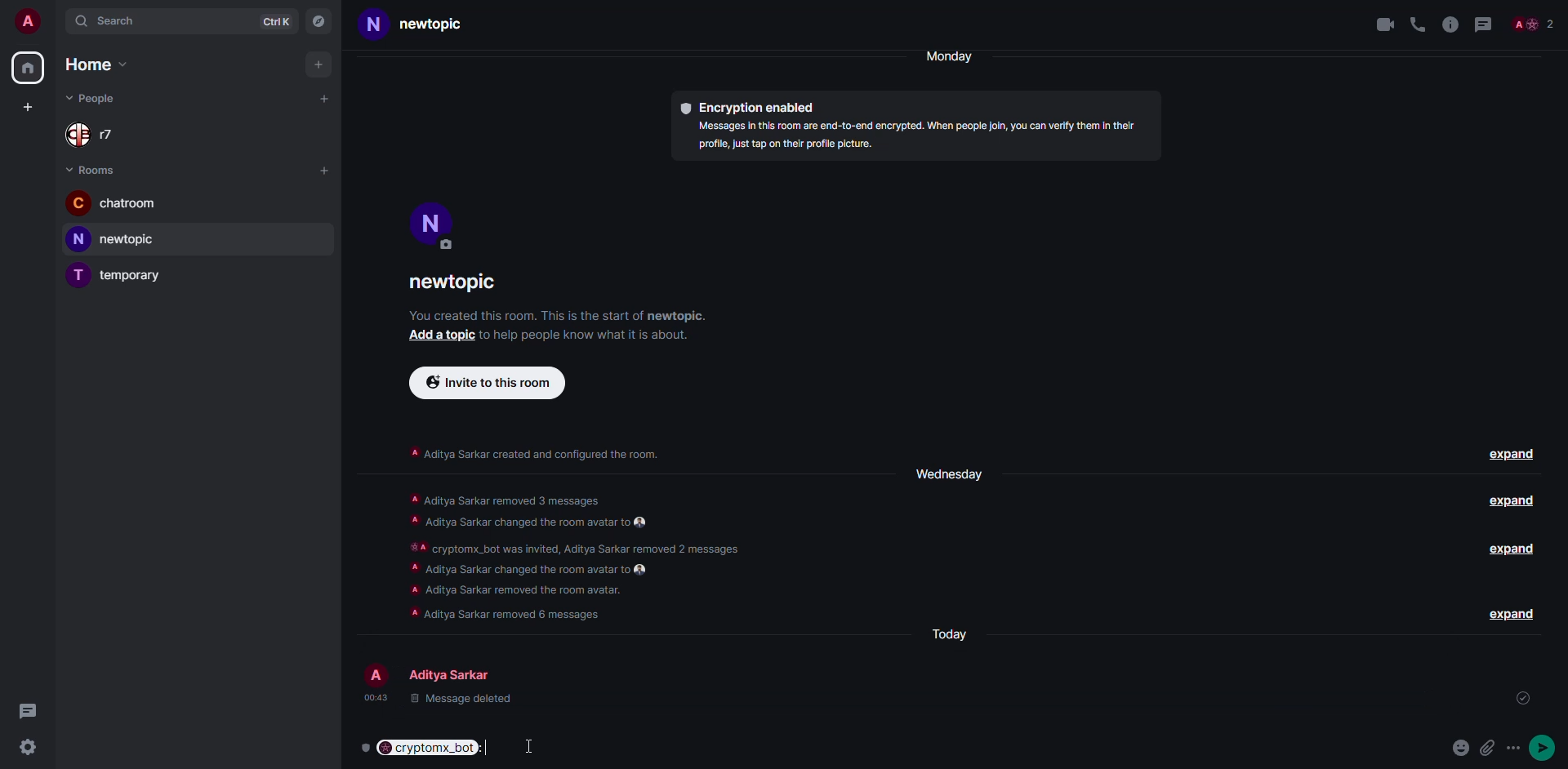 This screenshot has height=769, width=1568. What do you see at coordinates (946, 473) in the screenshot?
I see `day` at bounding box center [946, 473].